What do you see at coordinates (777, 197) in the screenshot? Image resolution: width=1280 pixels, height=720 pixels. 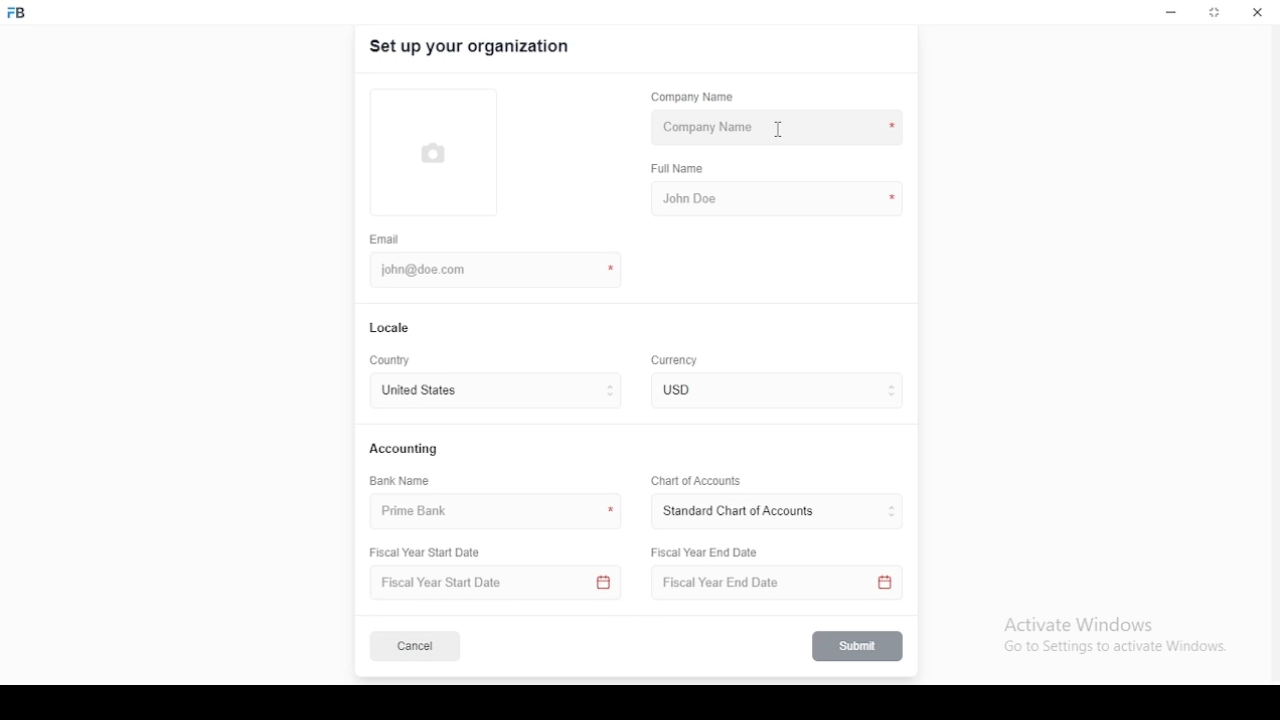 I see `john doe` at bounding box center [777, 197].